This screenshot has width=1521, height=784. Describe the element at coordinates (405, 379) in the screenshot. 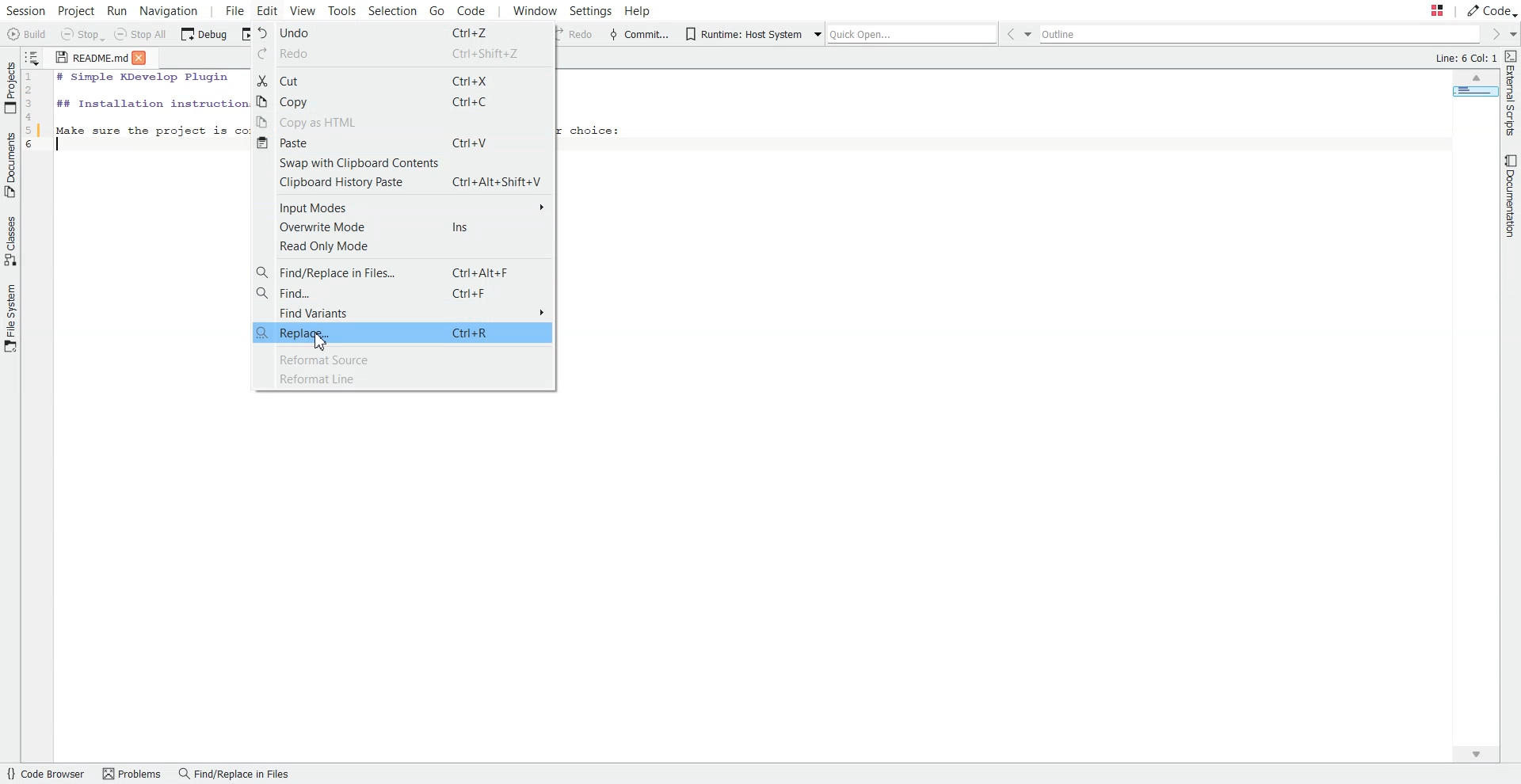

I see `Reformat Line` at that location.